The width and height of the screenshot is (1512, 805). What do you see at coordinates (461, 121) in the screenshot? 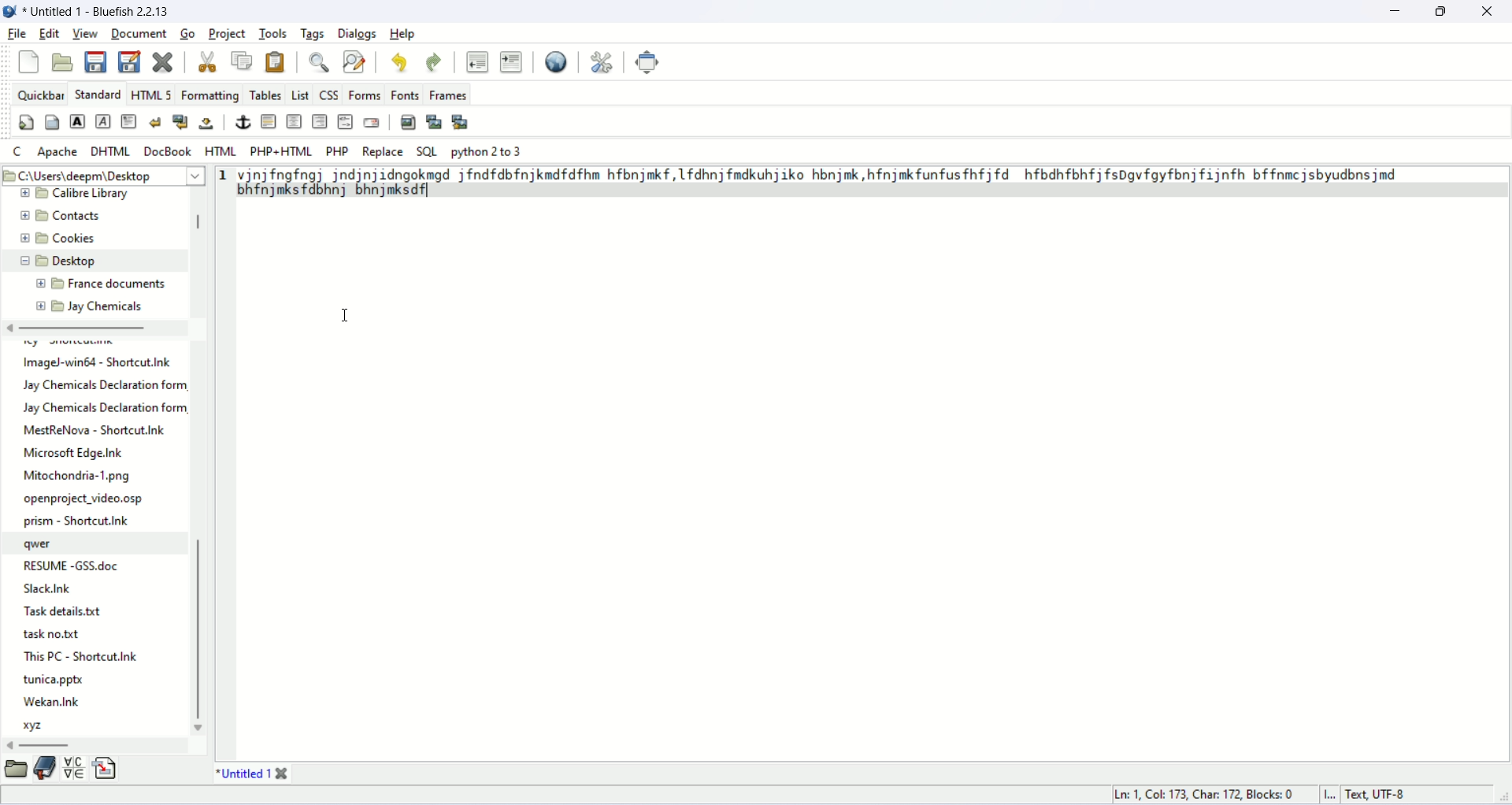
I see `multi thumbnail` at bounding box center [461, 121].